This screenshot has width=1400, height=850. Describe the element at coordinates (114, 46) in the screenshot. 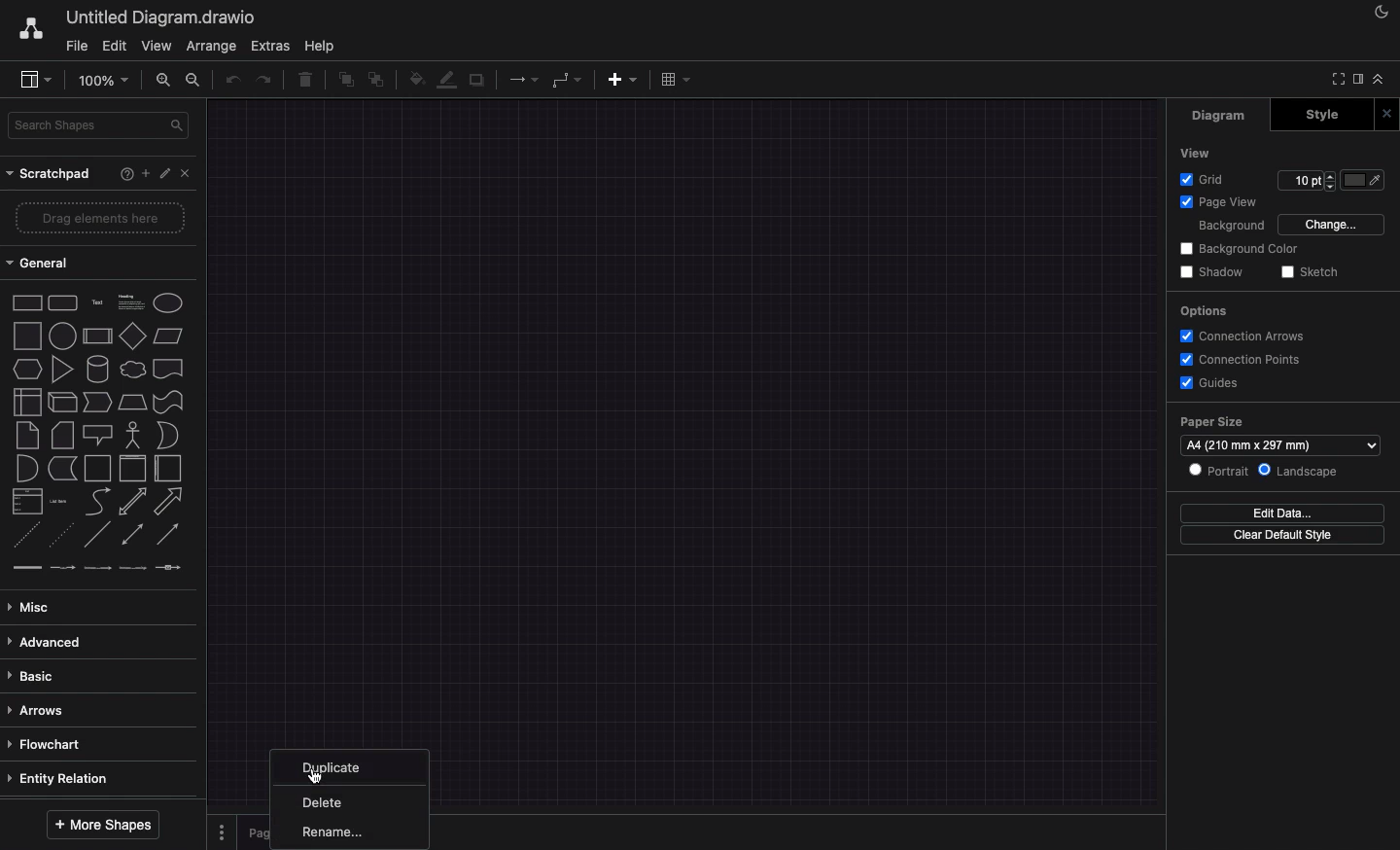

I see `edit` at that location.